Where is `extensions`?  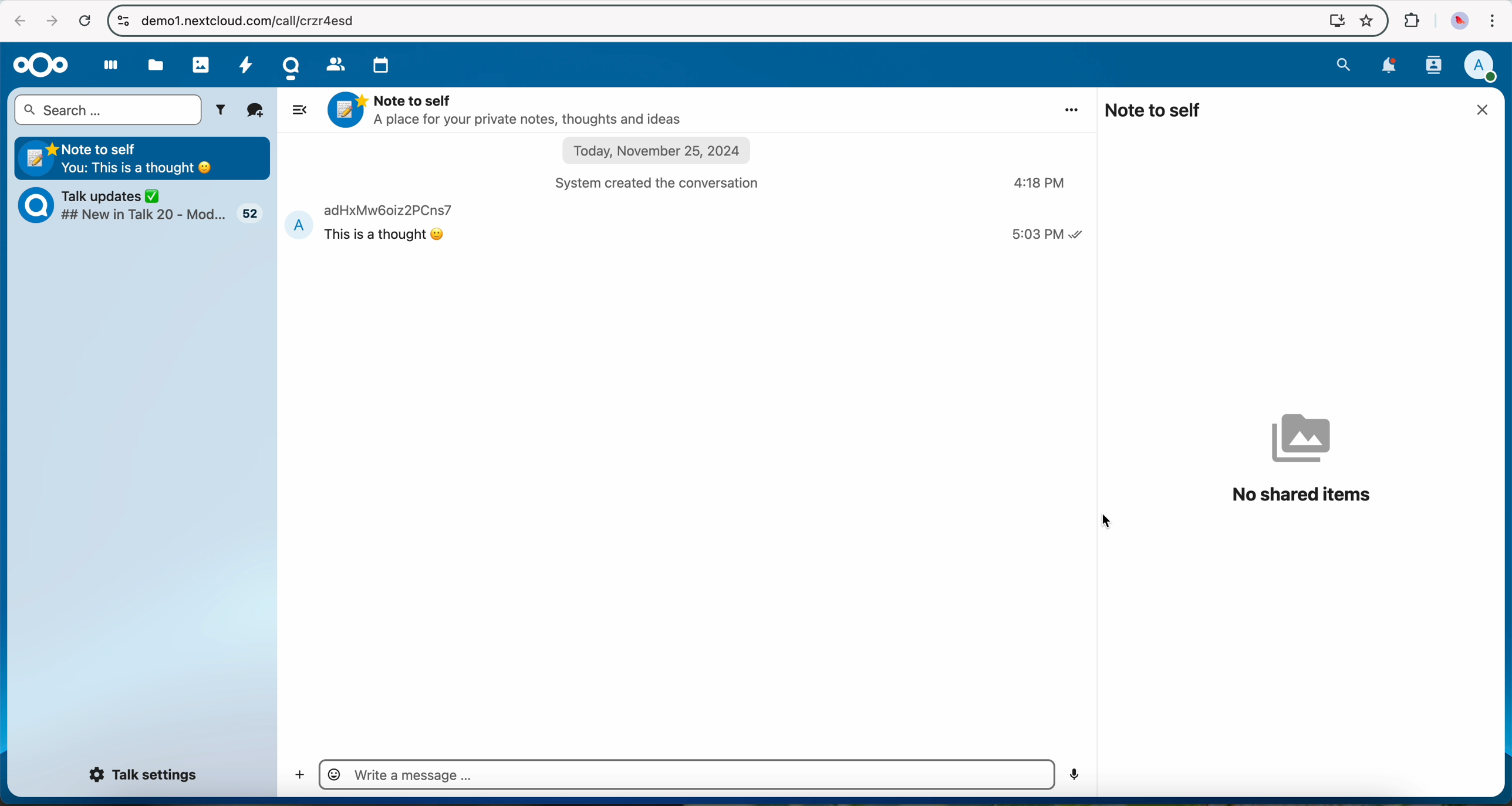
extensions is located at coordinates (1412, 21).